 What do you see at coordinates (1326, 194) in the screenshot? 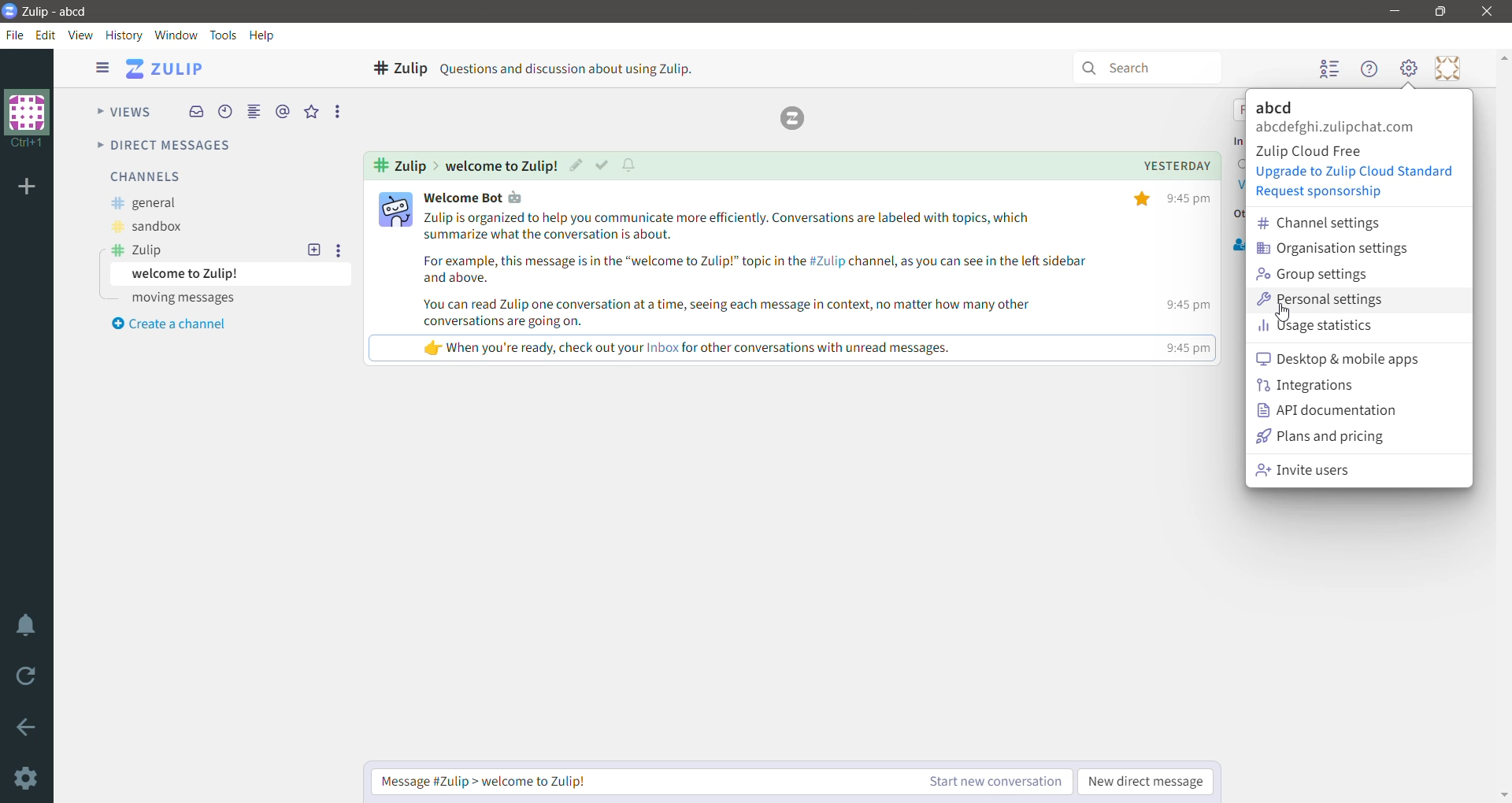
I see `Request Sponsorship` at bounding box center [1326, 194].